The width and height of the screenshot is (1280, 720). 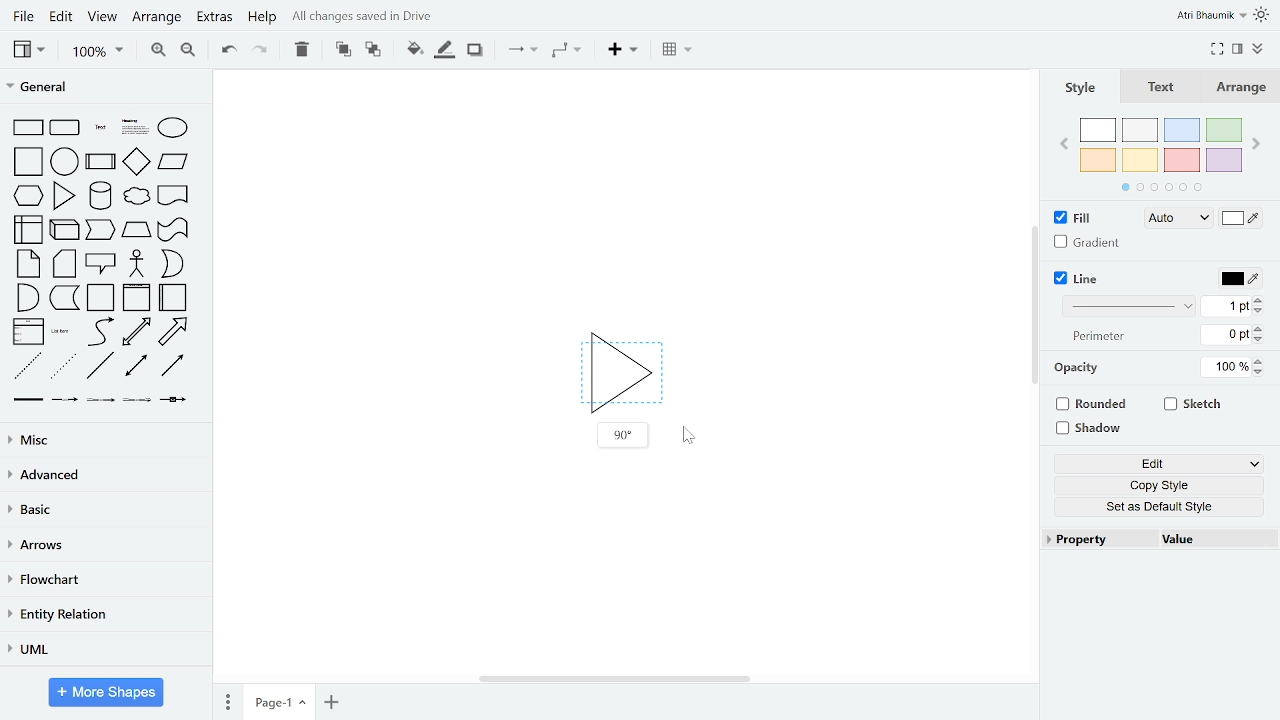 What do you see at coordinates (1094, 403) in the screenshot?
I see `rounded` at bounding box center [1094, 403].